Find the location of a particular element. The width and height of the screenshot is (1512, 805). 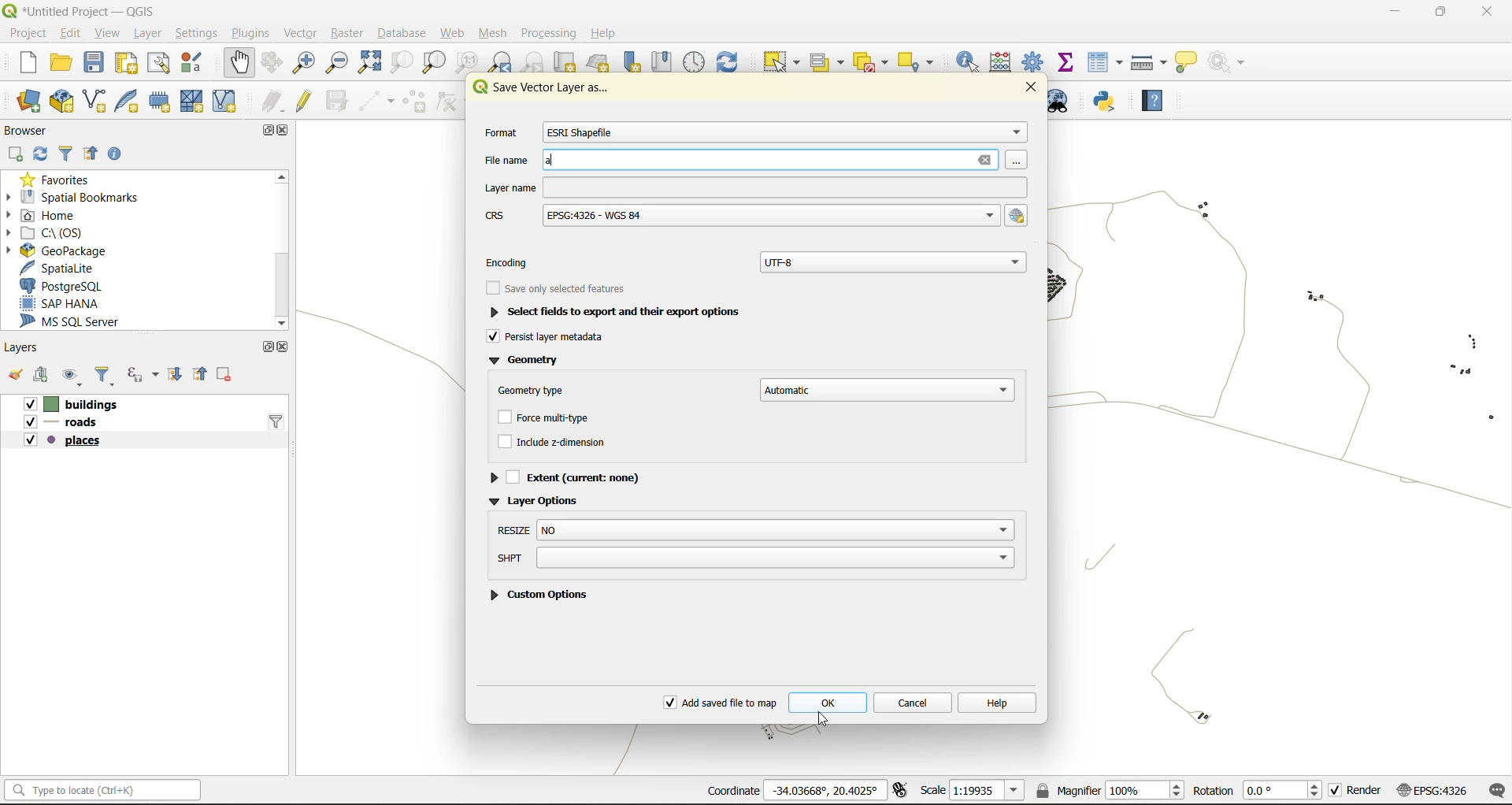

Select fields to export and their export options is located at coordinates (628, 313).